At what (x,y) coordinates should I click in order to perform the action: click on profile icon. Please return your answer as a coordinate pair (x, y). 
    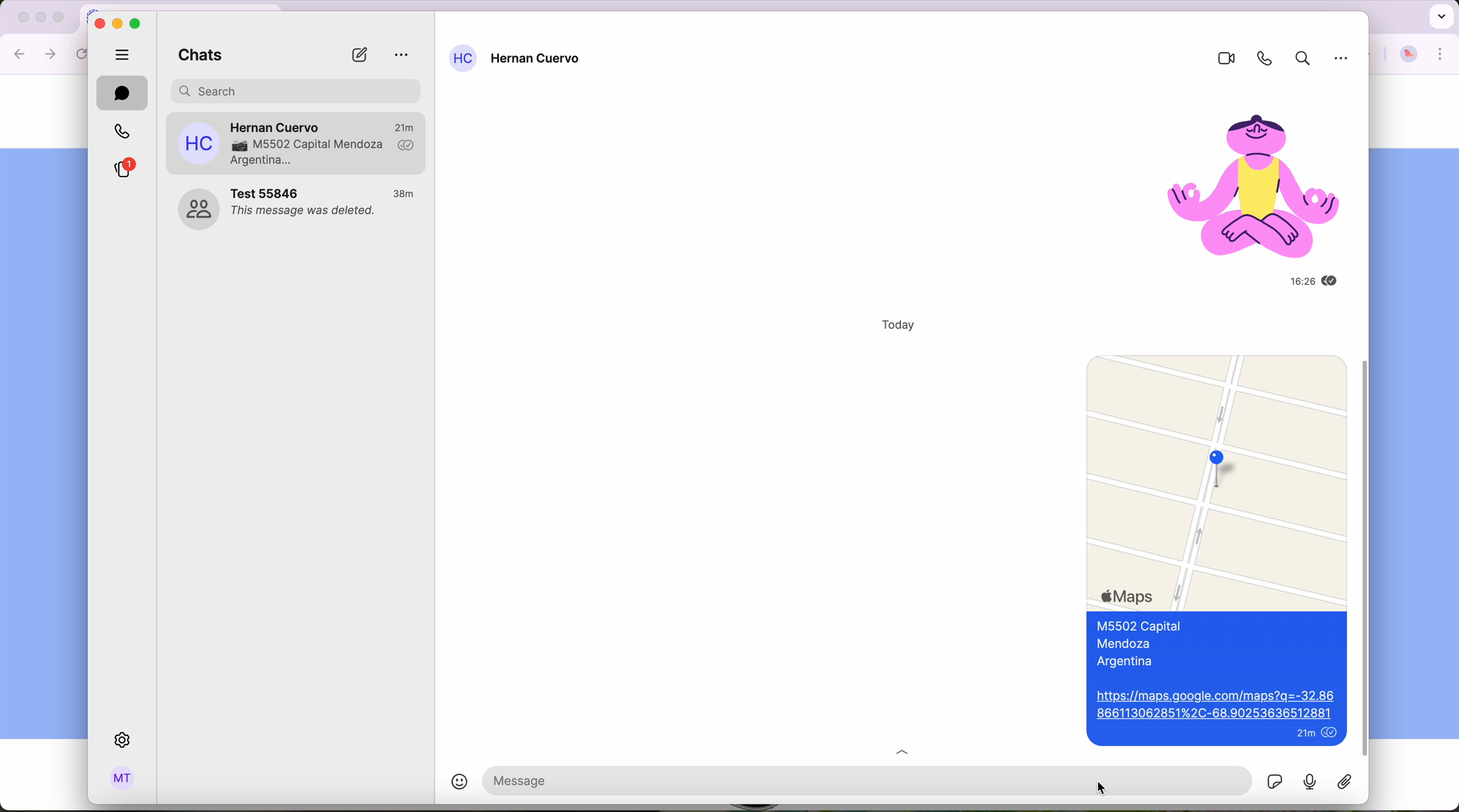
    Looking at the image, I should click on (463, 58).